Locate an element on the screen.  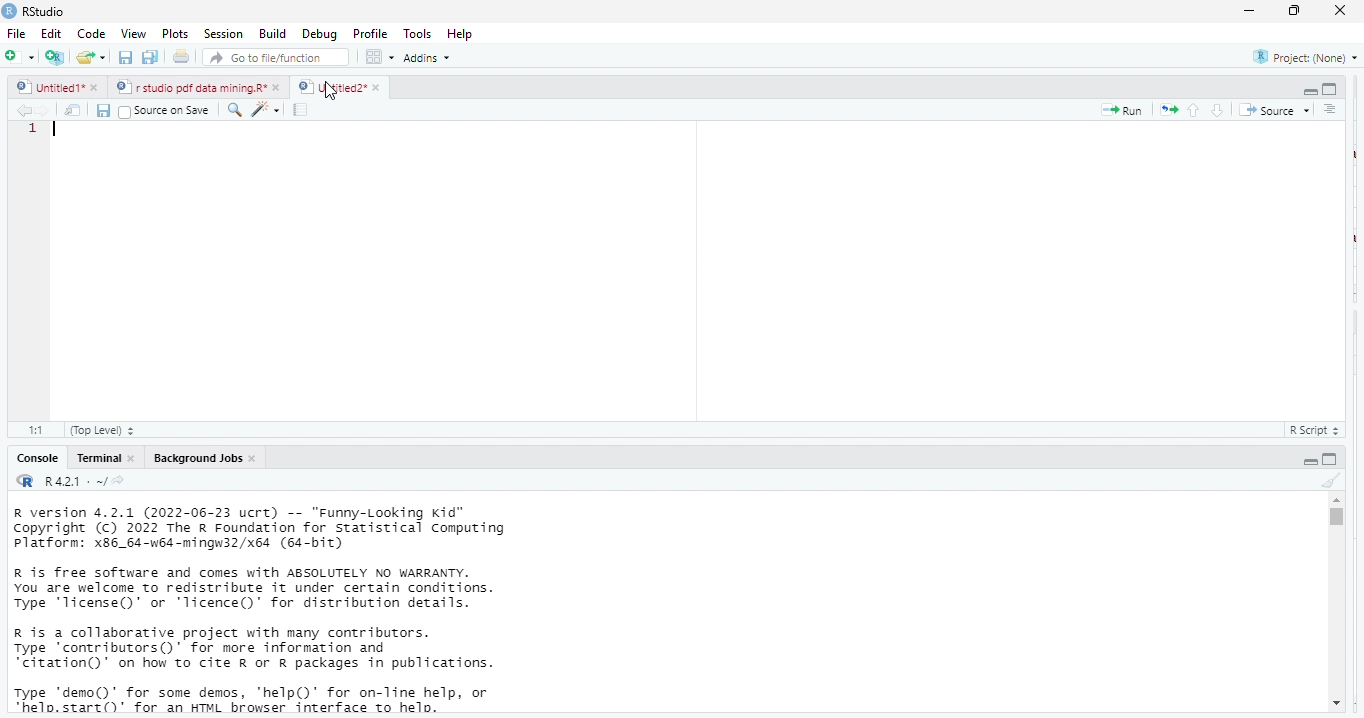
find /replace is located at coordinates (234, 109).